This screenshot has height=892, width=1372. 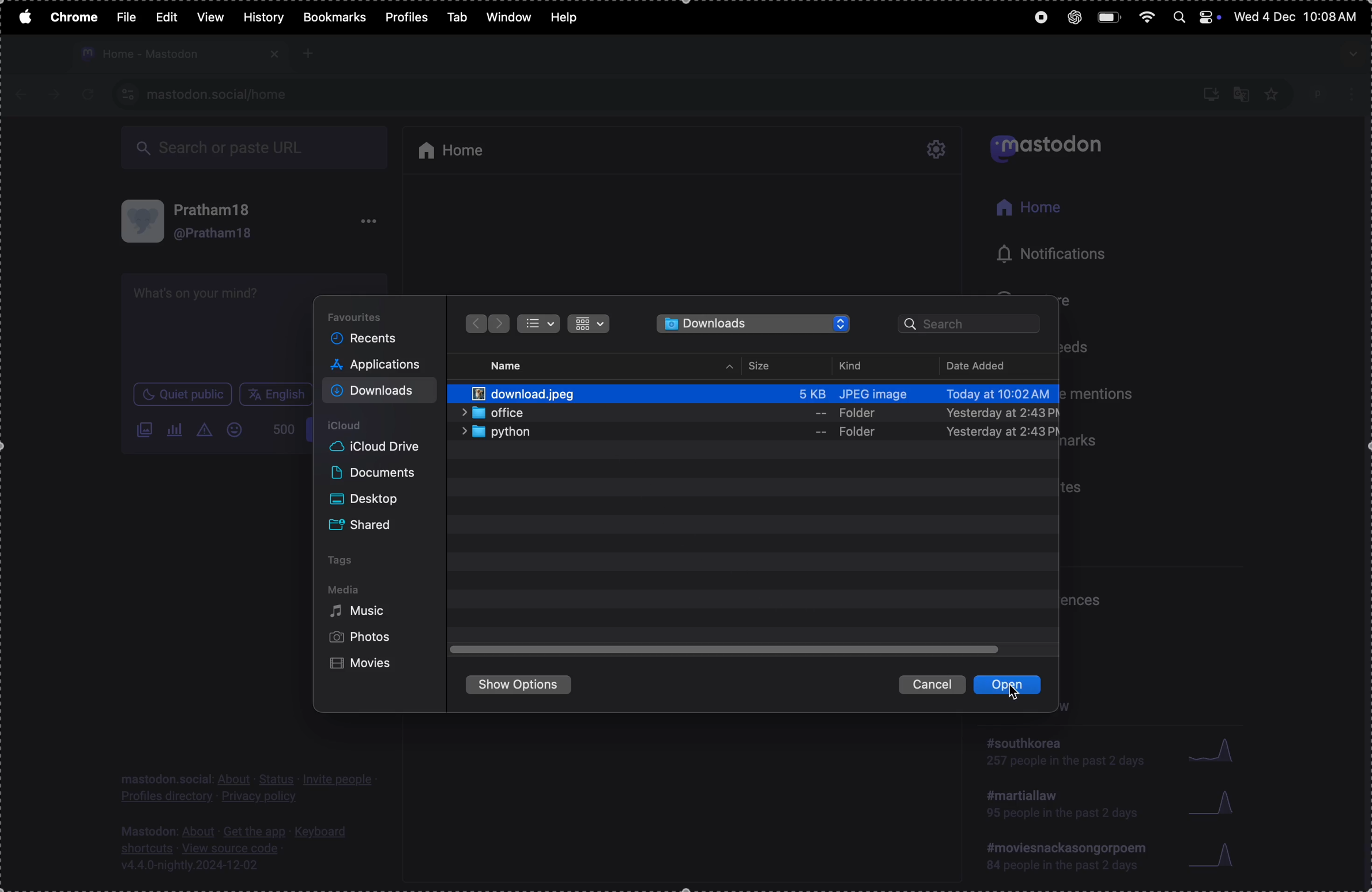 I want to click on name, so click(x=512, y=364).